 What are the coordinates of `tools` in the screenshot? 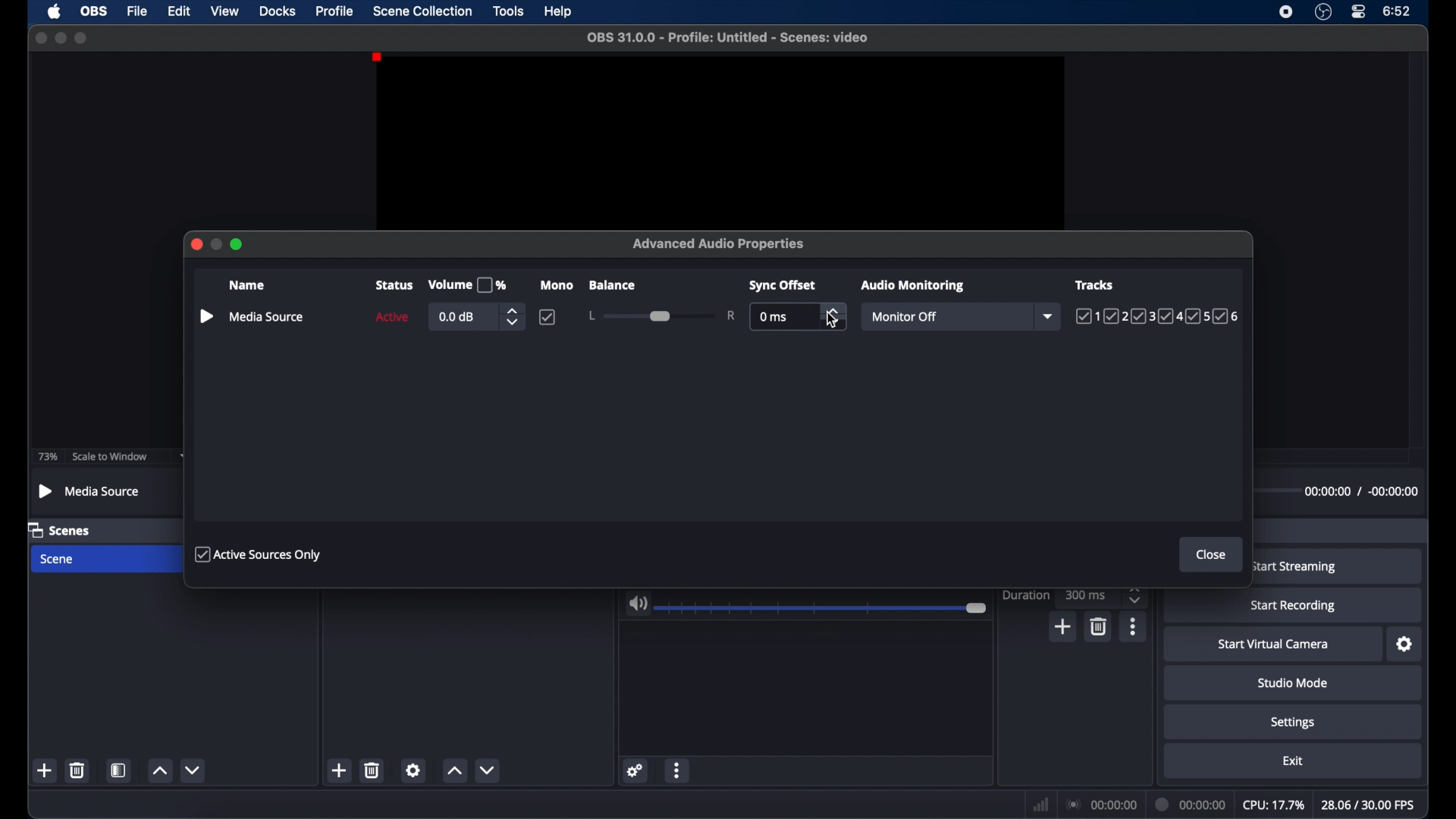 It's located at (510, 10).